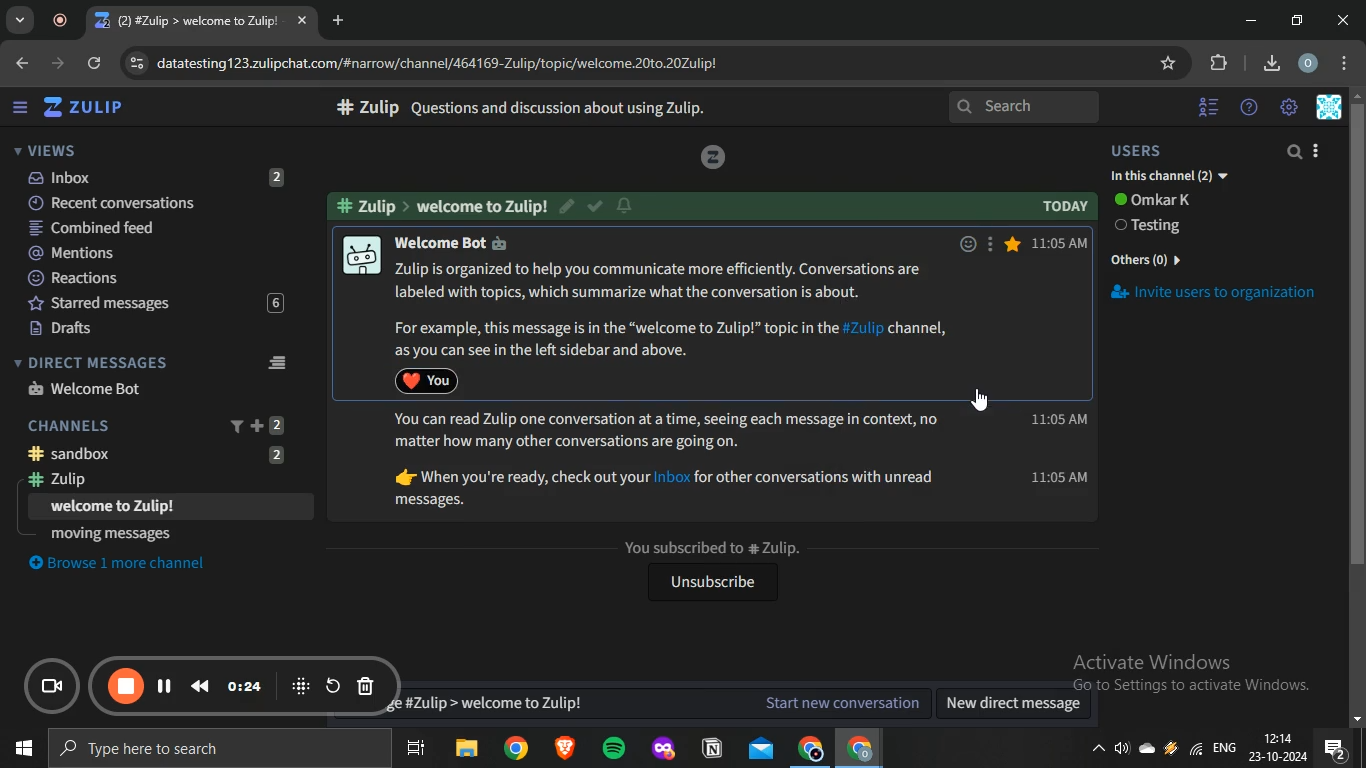 The width and height of the screenshot is (1366, 768). Describe the element at coordinates (1332, 108) in the screenshot. I see `personal menu` at that location.